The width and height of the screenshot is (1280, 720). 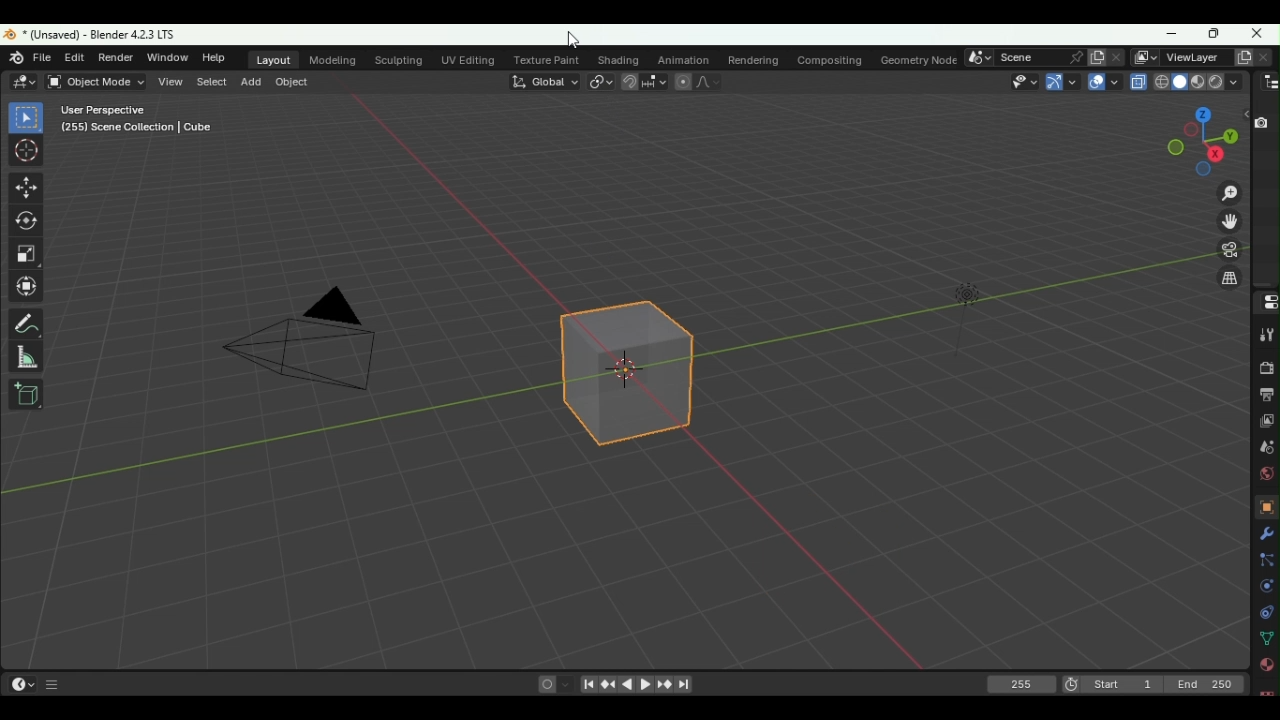 I want to click on Toggle camera view, so click(x=1226, y=253).